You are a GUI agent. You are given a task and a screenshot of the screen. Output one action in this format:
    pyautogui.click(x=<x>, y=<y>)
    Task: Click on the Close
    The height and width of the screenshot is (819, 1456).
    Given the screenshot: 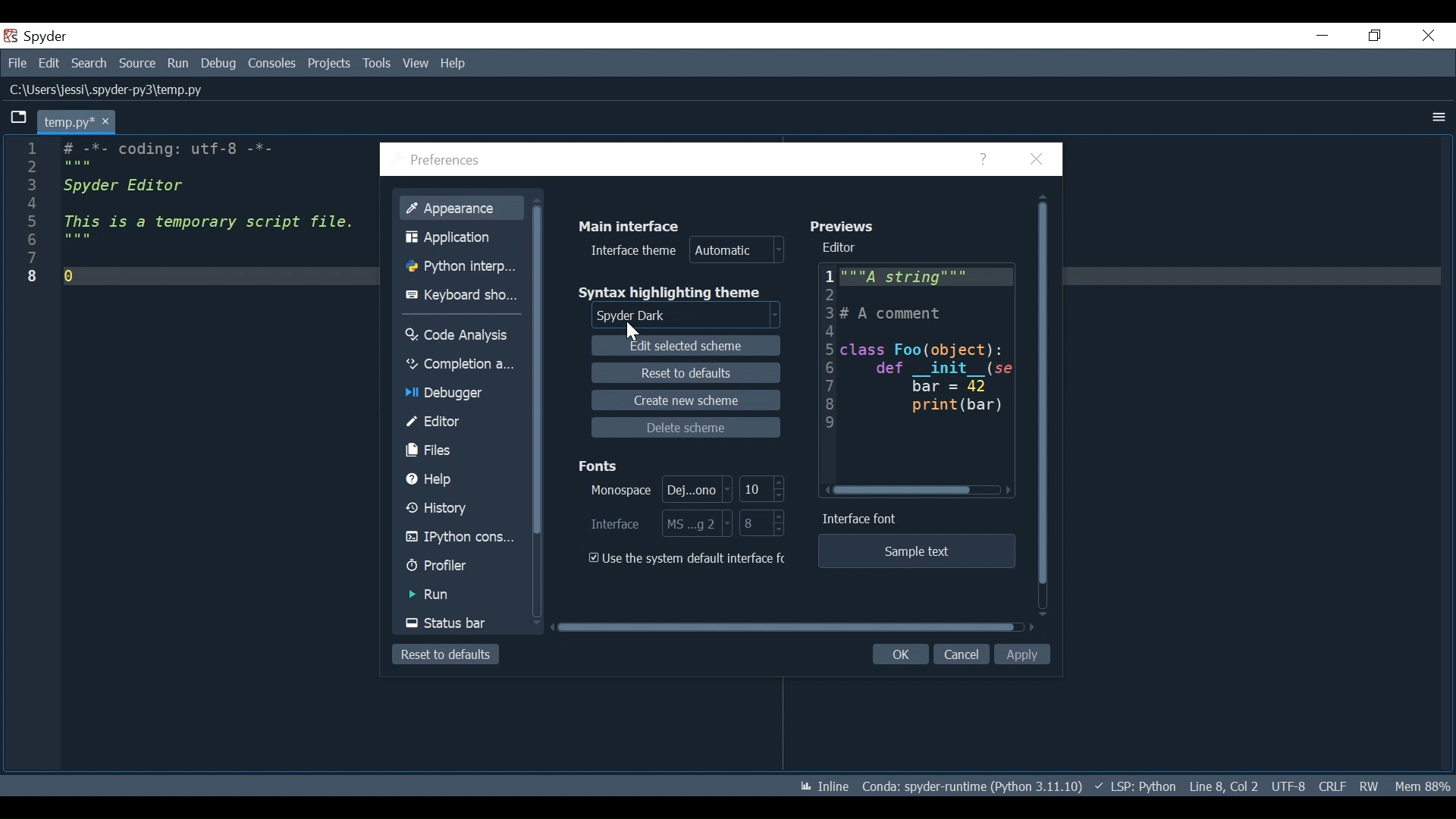 What is the action you would take?
    pyautogui.click(x=1038, y=160)
    